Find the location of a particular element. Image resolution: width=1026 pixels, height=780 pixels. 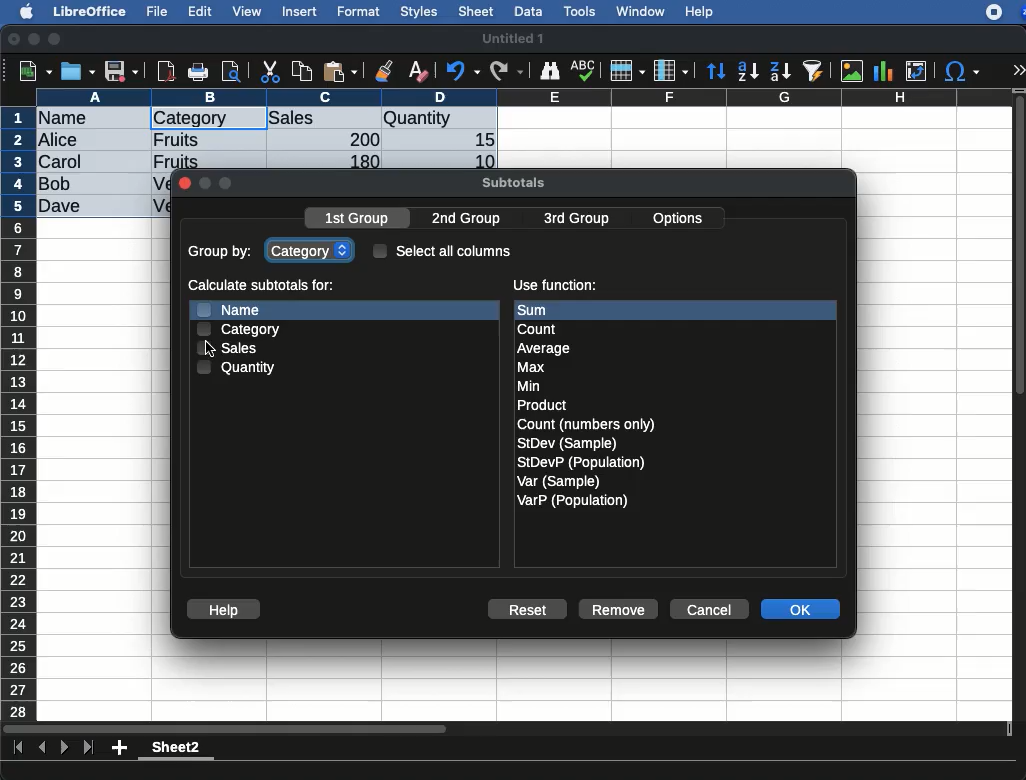

category  is located at coordinates (240, 329).